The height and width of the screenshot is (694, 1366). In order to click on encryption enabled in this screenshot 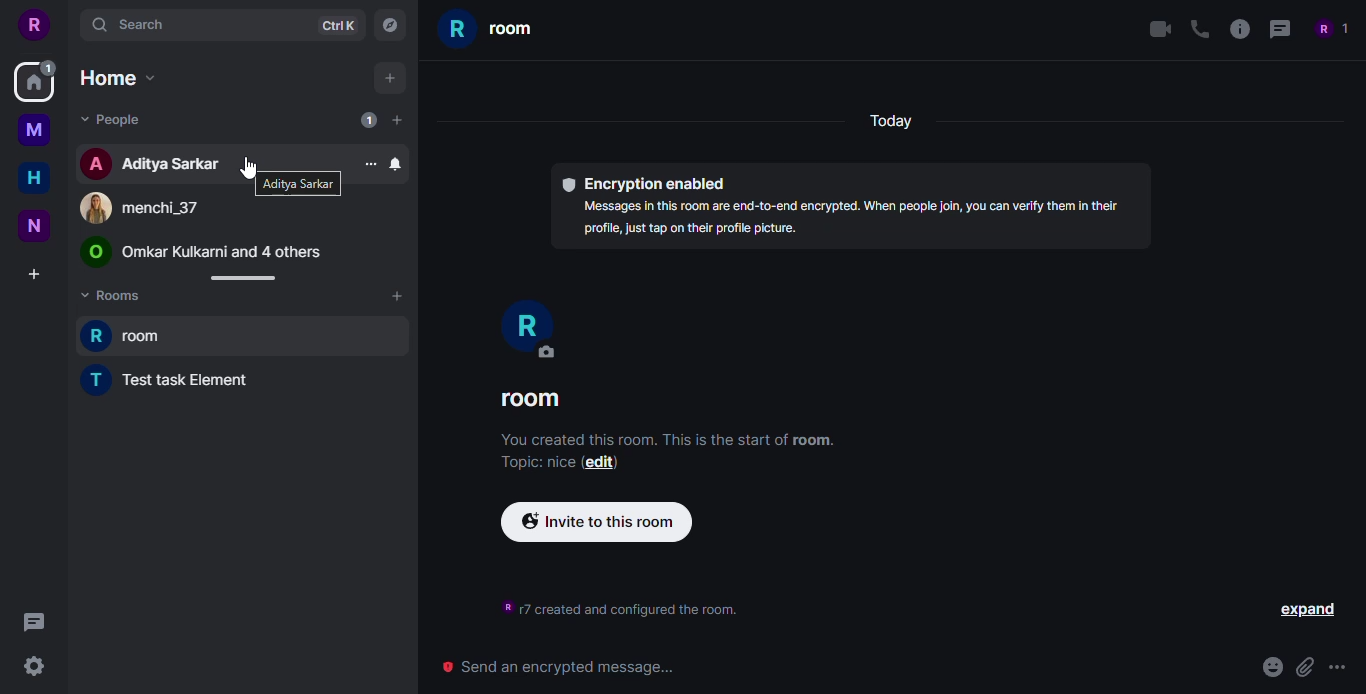, I will do `click(644, 183)`.